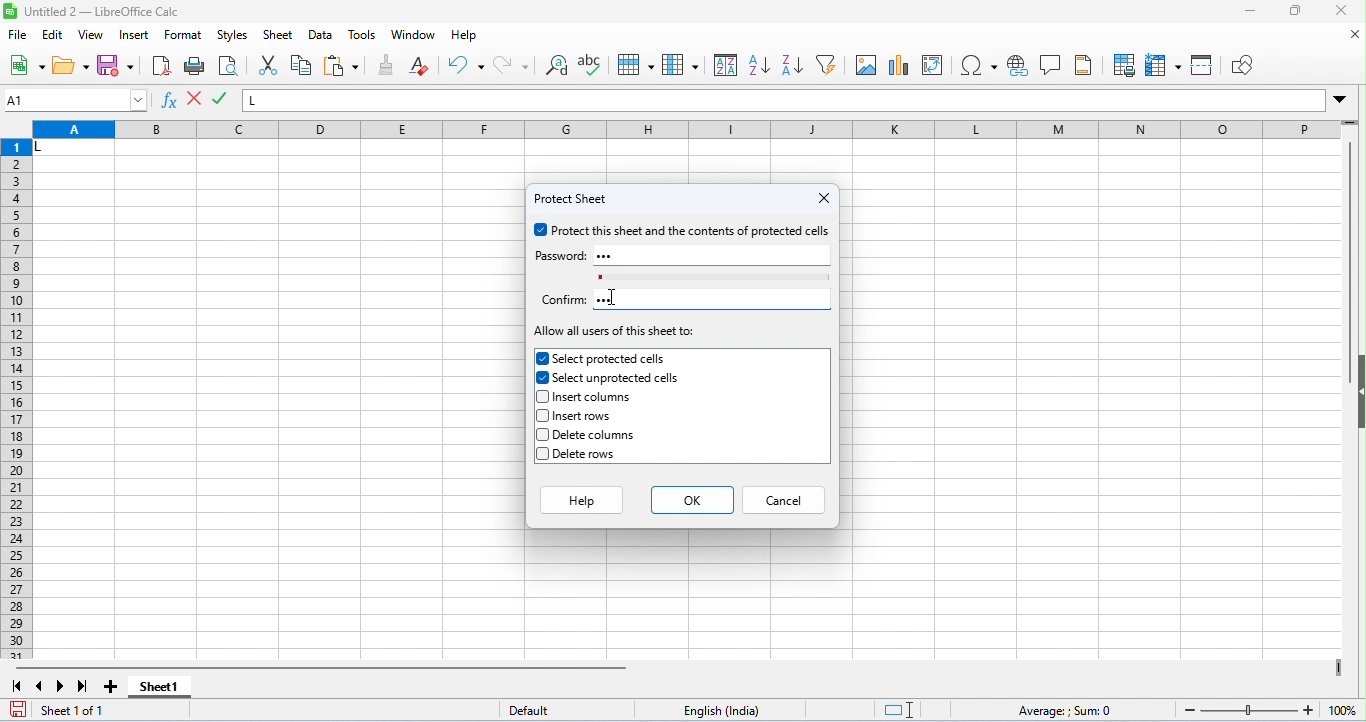 This screenshot has height=722, width=1366. I want to click on clone, so click(388, 64).